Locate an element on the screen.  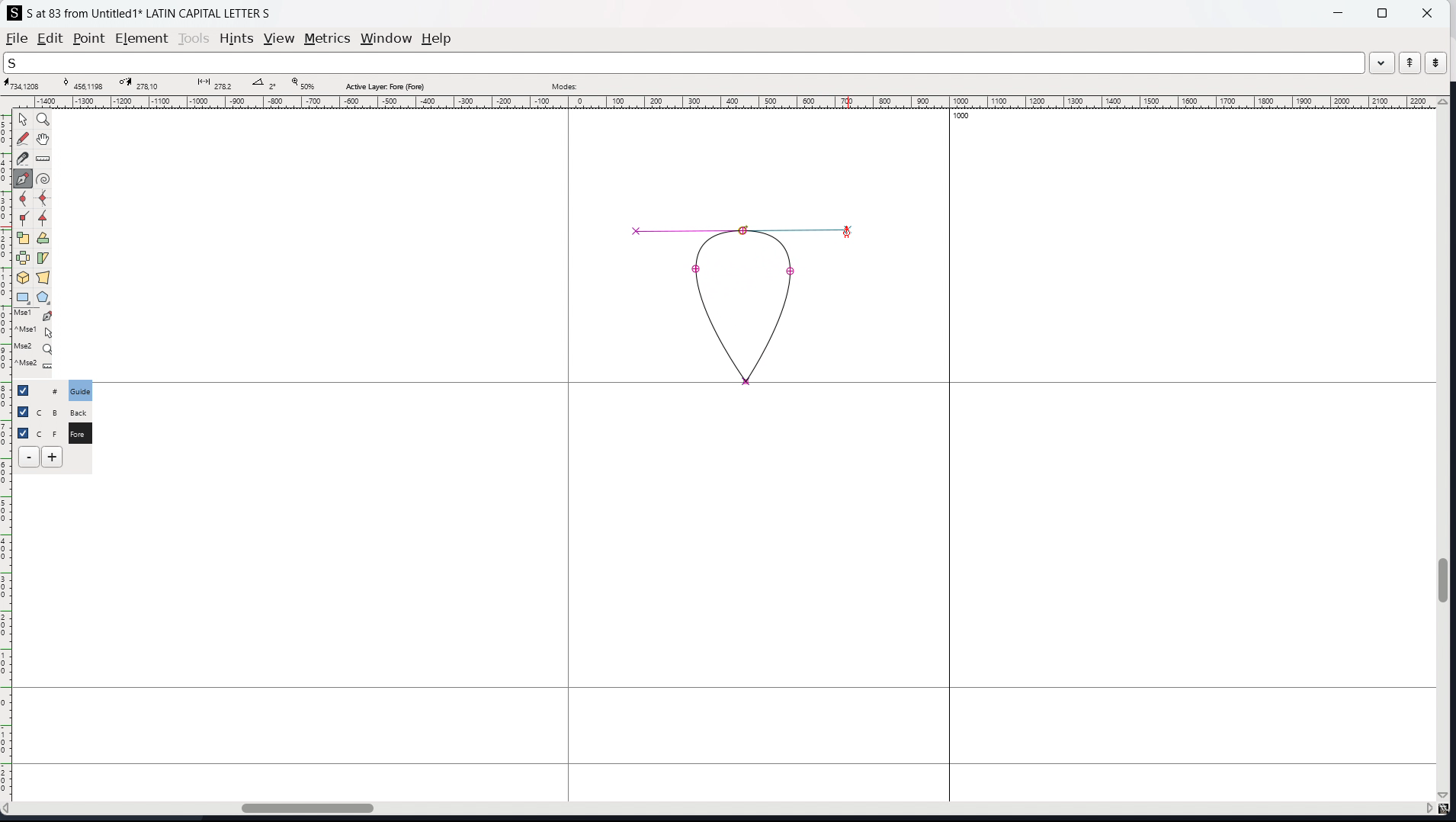
previous word in the wordlist is located at coordinates (1410, 63).